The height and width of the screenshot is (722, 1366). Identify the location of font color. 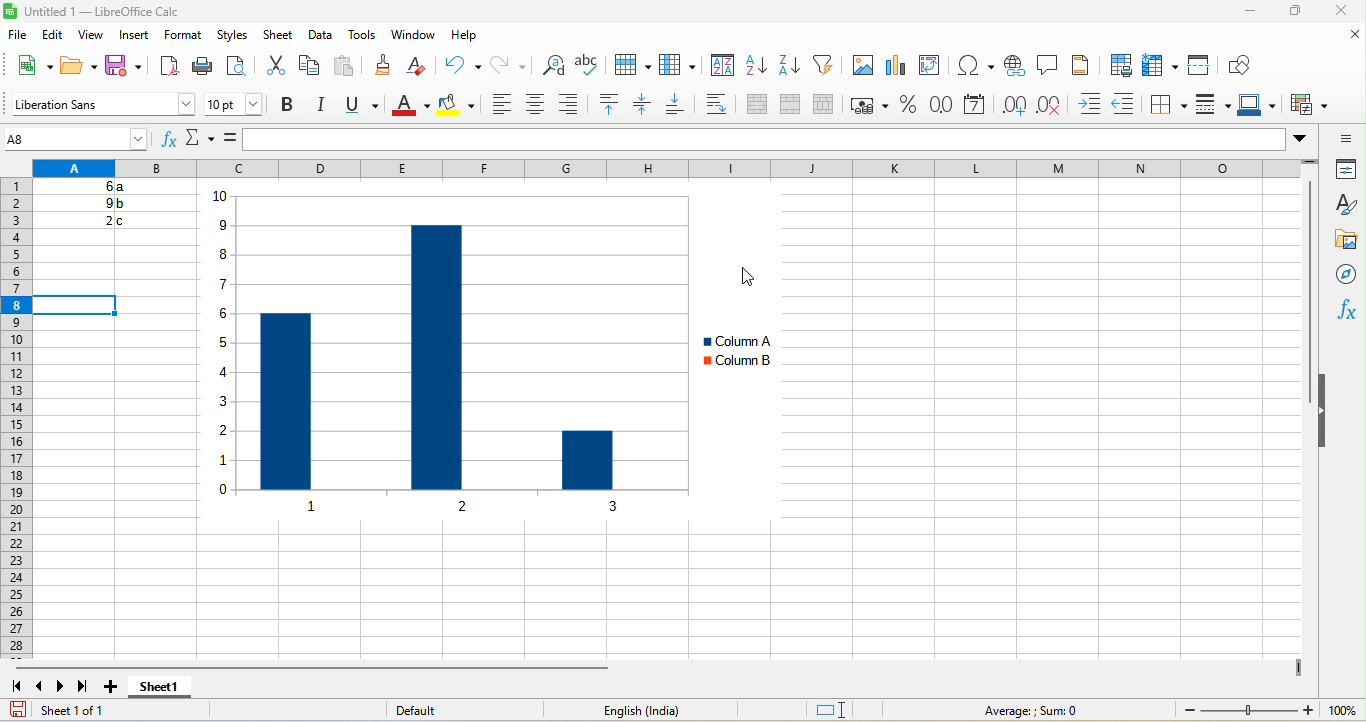
(409, 106).